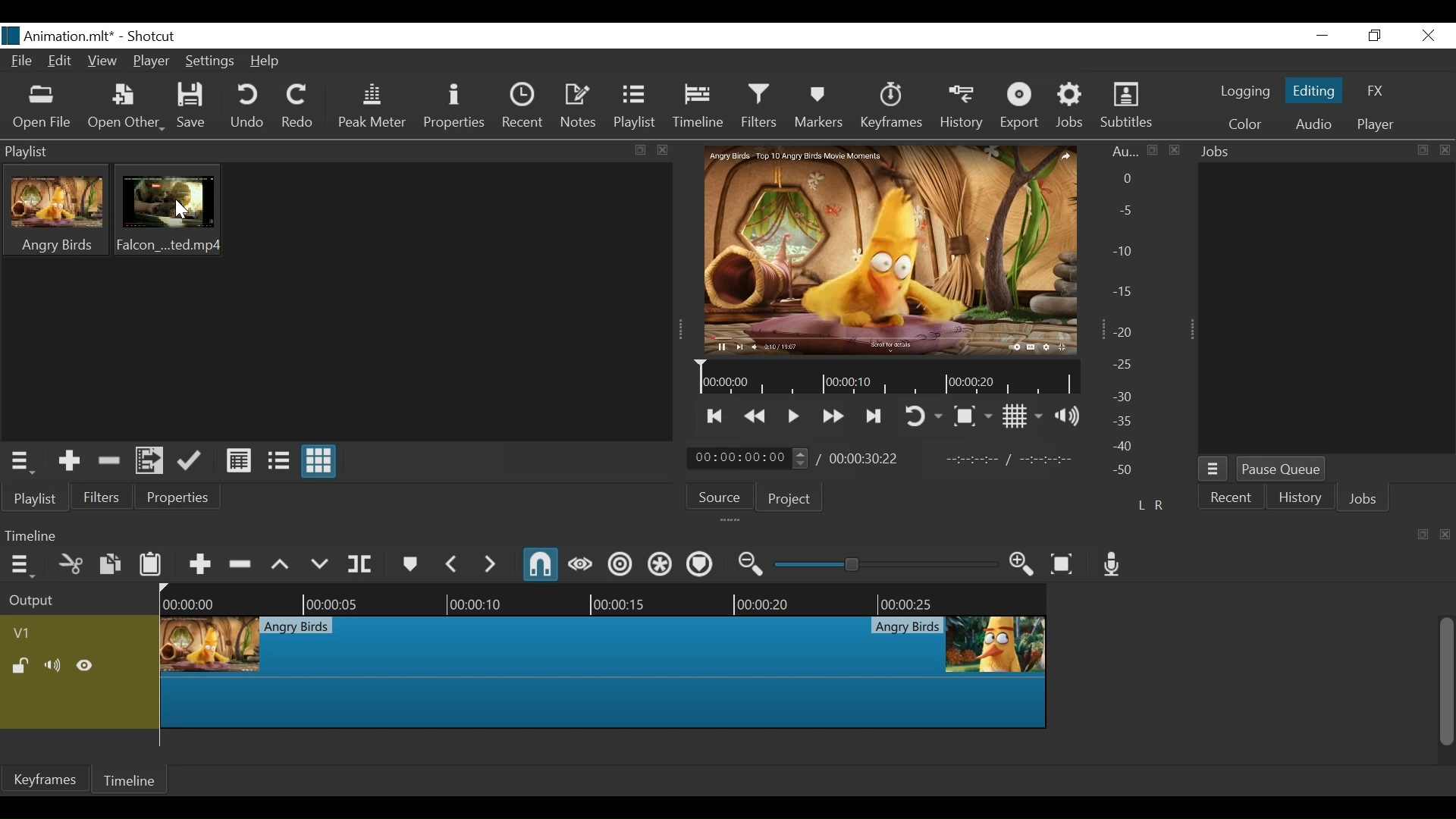 Image resolution: width=1456 pixels, height=819 pixels. Describe the element at coordinates (319, 561) in the screenshot. I see `Overwrite` at that location.